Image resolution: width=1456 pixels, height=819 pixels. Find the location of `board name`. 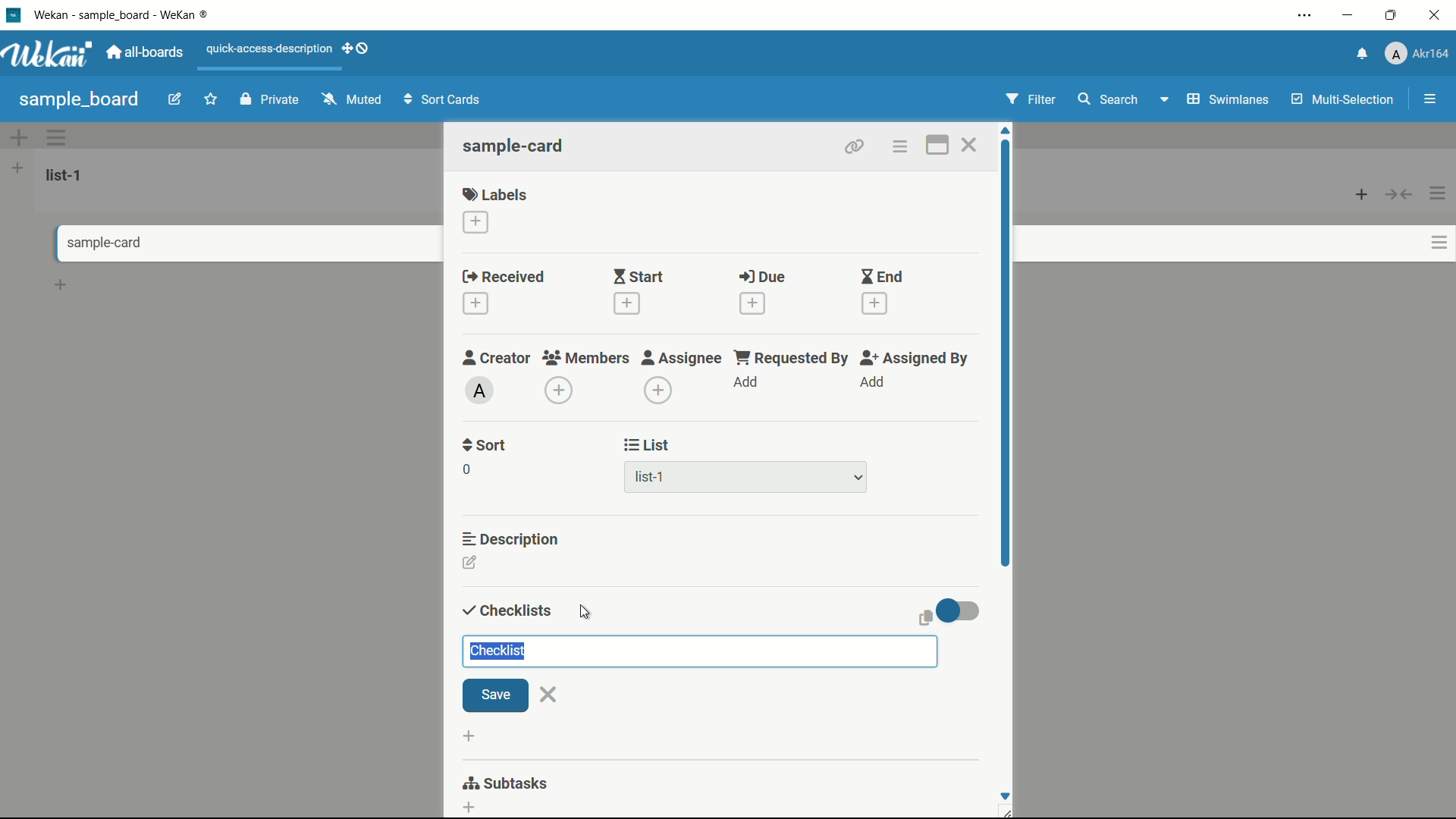

board name is located at coordinates (79, 99).